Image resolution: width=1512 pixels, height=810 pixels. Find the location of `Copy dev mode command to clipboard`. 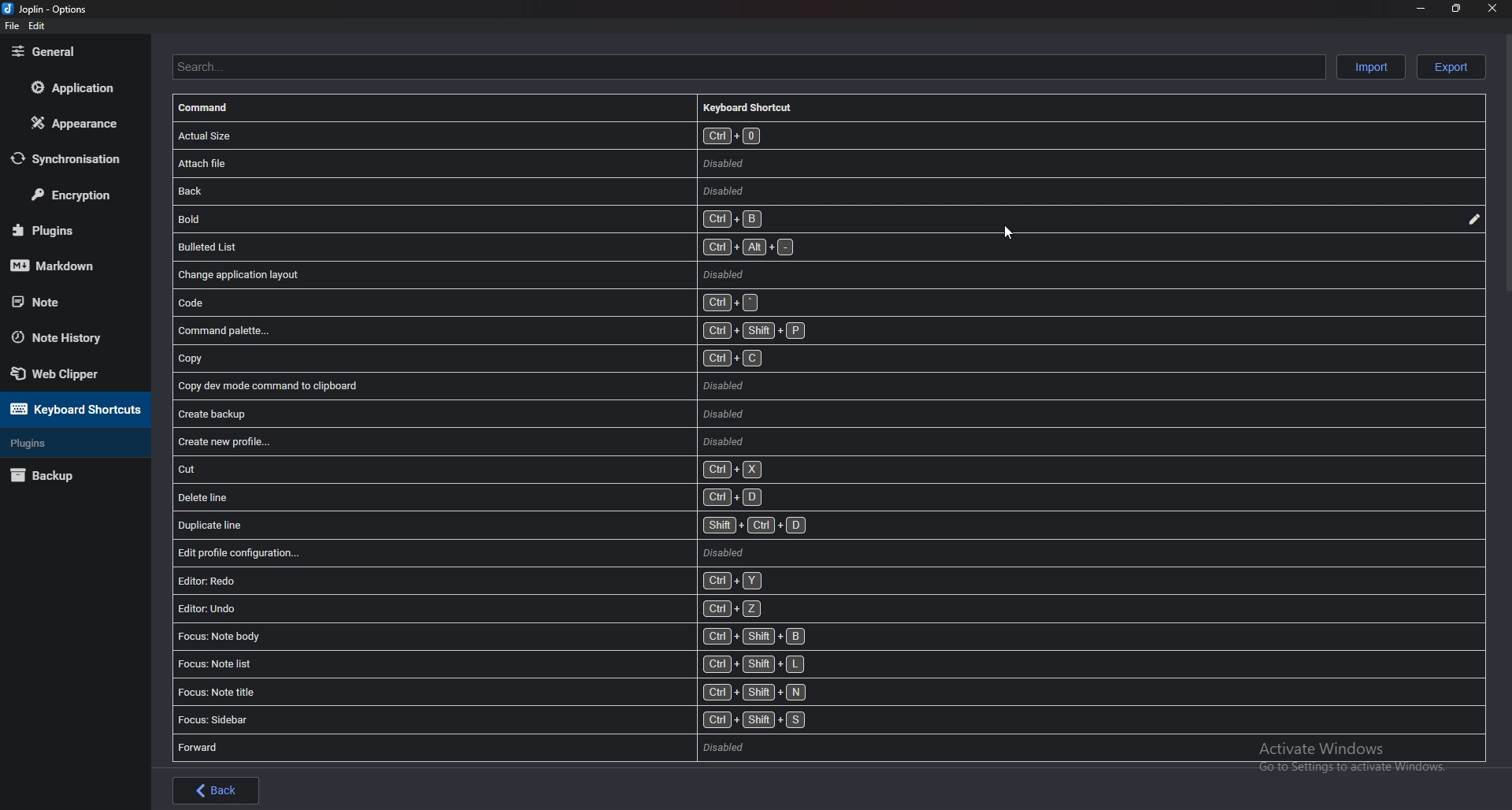

Copy dev mode command to clipboard is located at coordinates (465, 384).